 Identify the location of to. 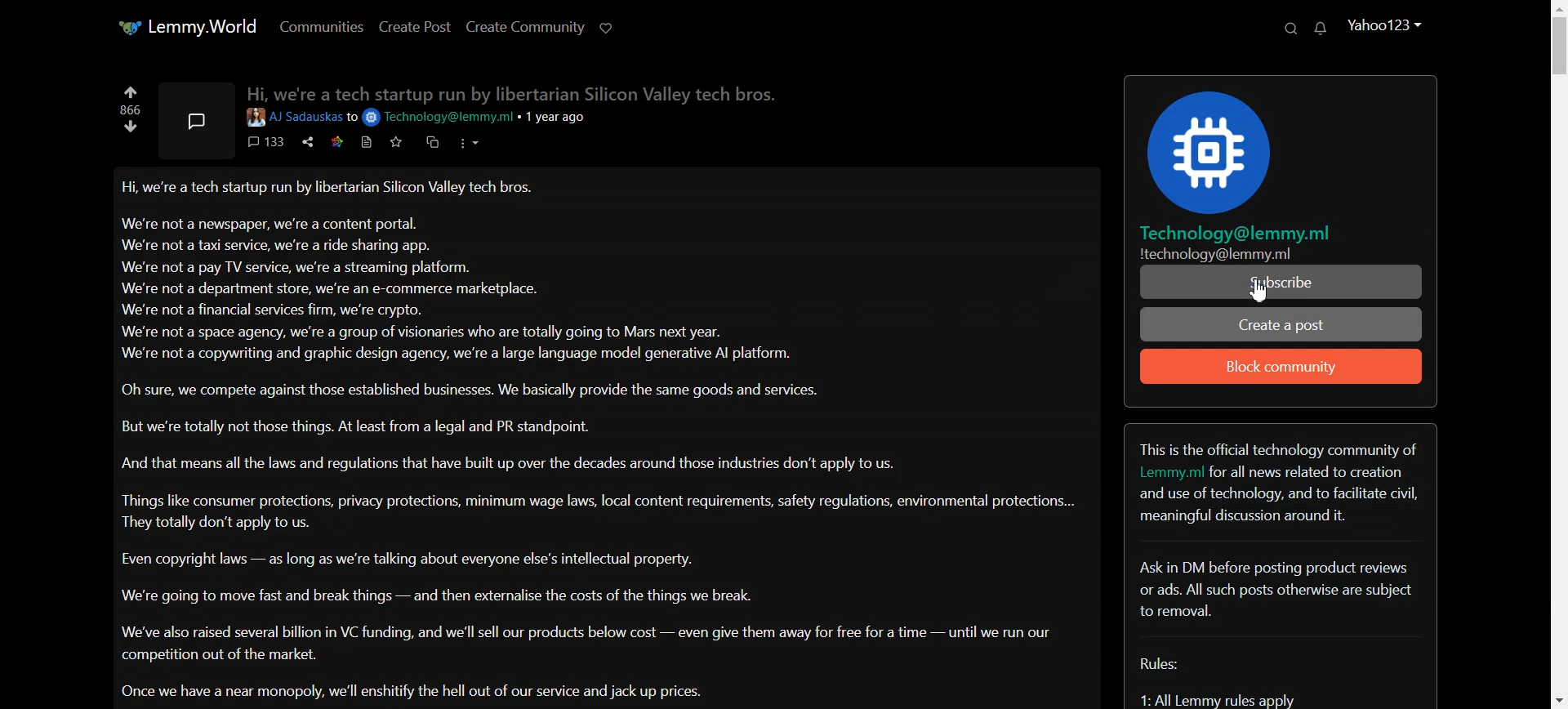
(352, 118).